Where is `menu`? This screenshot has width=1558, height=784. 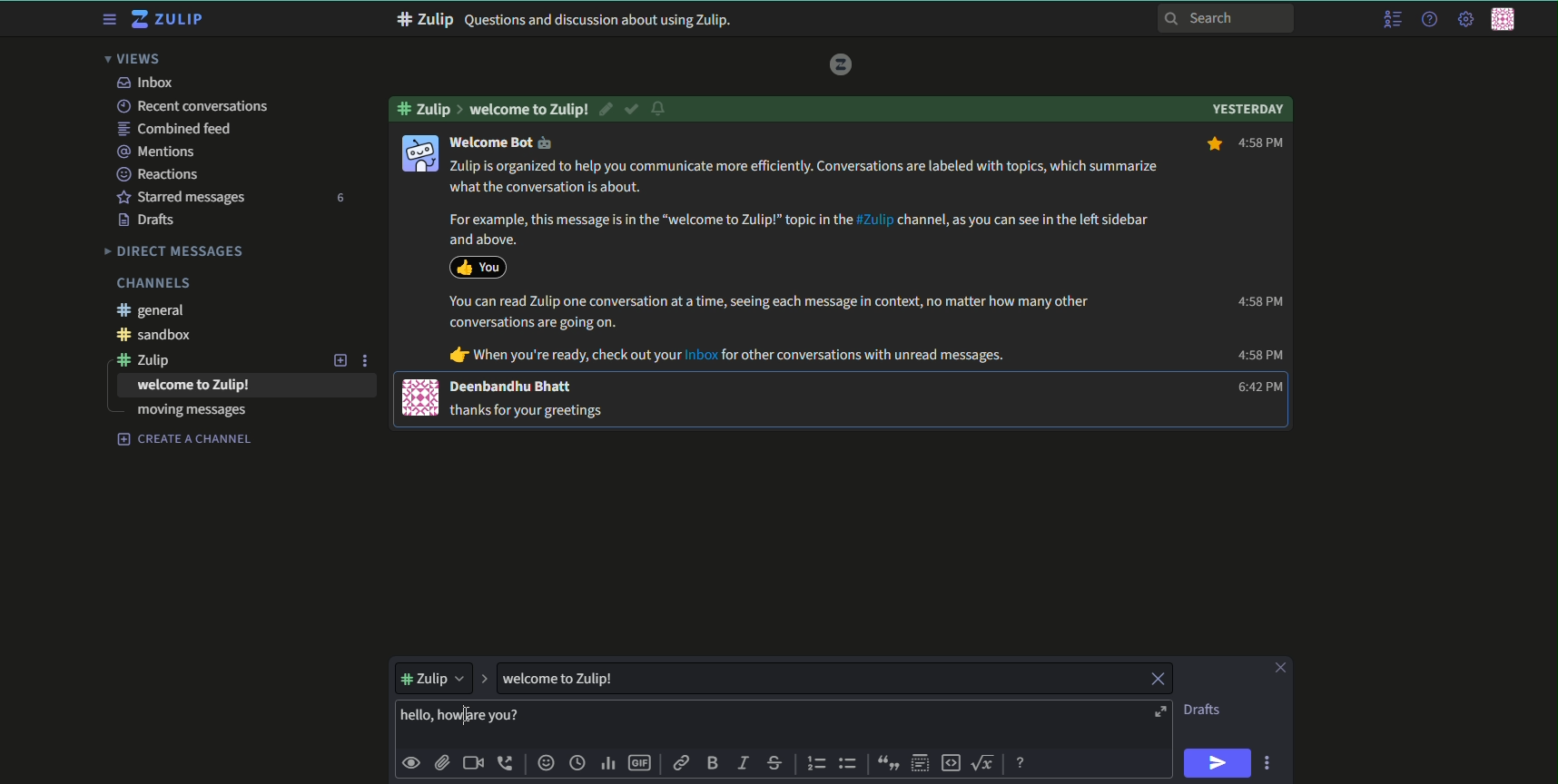
menu is located at coordinates (1391, 20).